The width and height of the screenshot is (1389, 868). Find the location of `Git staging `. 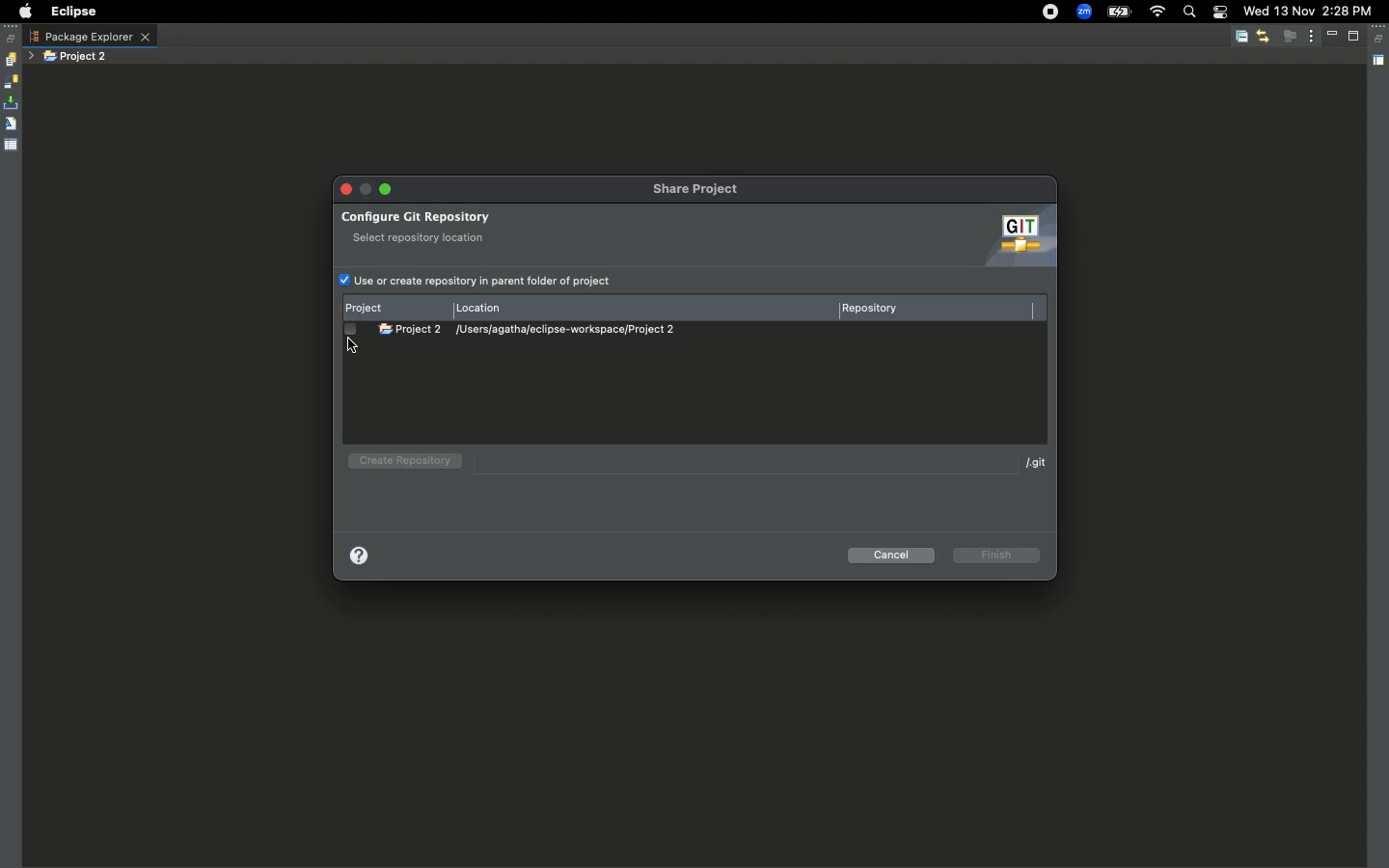

Git staging  is located at coordinates (13, 103).